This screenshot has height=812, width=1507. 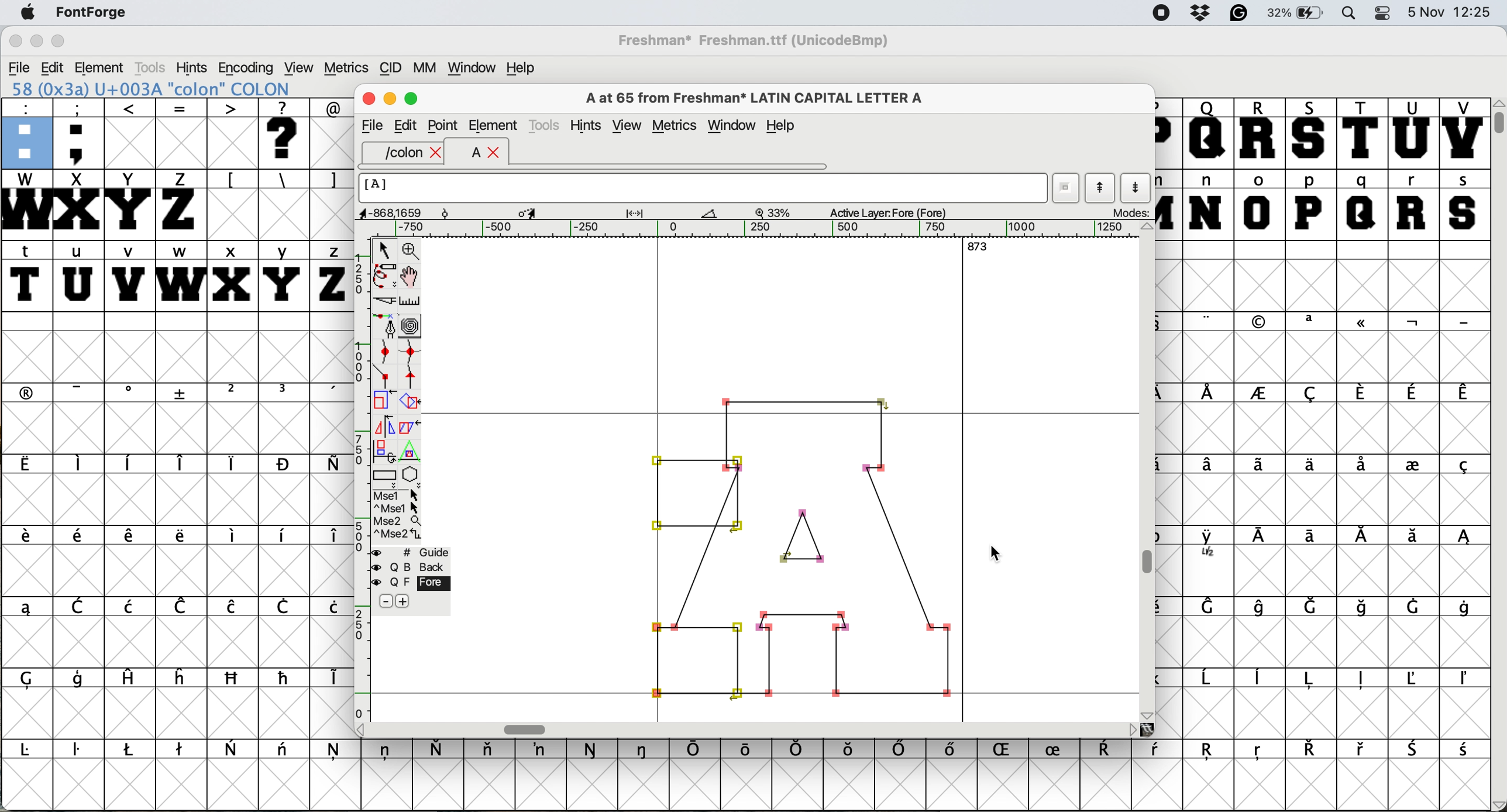 What do you see at coordinates (130, 463) in the screenshot?
I see `symbol` at bounding box center [130, 463].